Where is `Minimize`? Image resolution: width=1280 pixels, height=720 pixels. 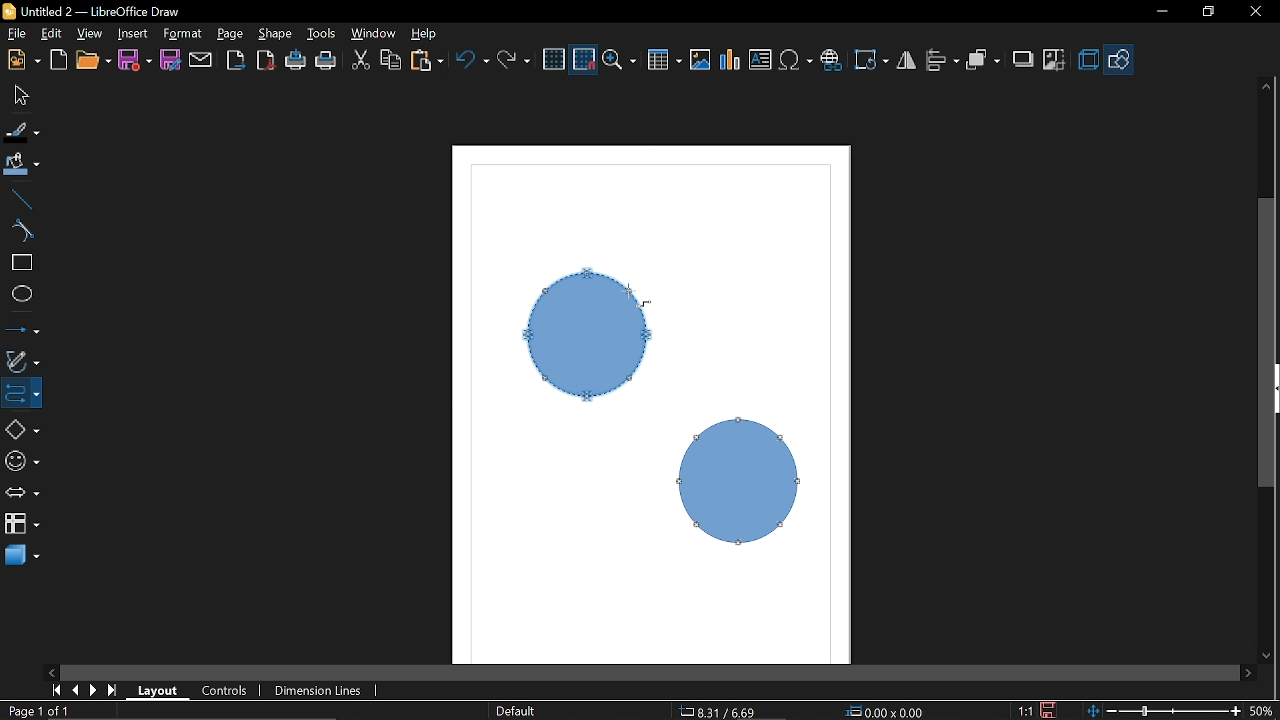
Minimize is located at coordinates (1157, 15).